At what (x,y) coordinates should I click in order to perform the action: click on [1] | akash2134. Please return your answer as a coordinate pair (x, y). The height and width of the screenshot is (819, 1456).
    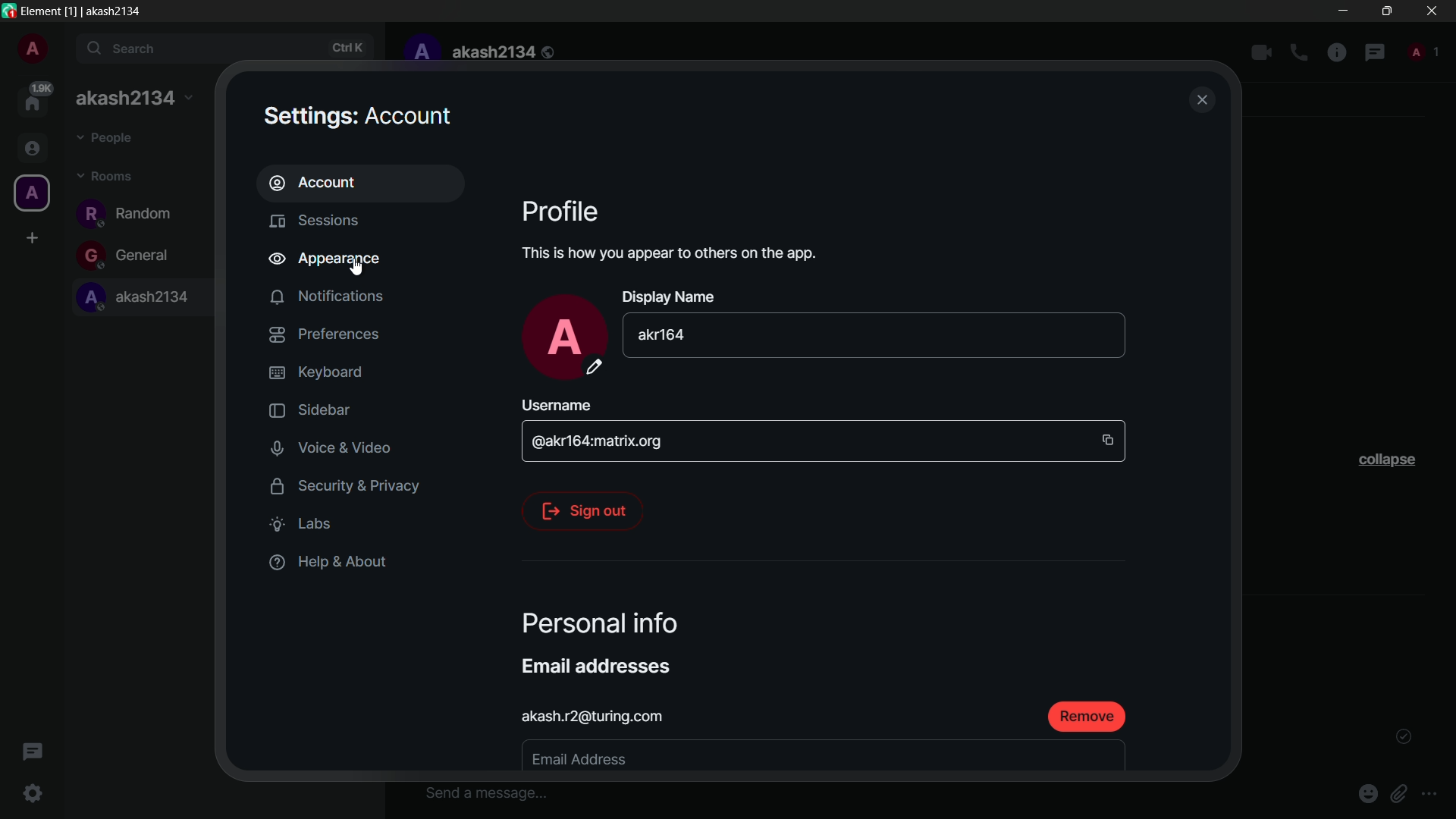
    Looking at the image, I should click on (107, 11).